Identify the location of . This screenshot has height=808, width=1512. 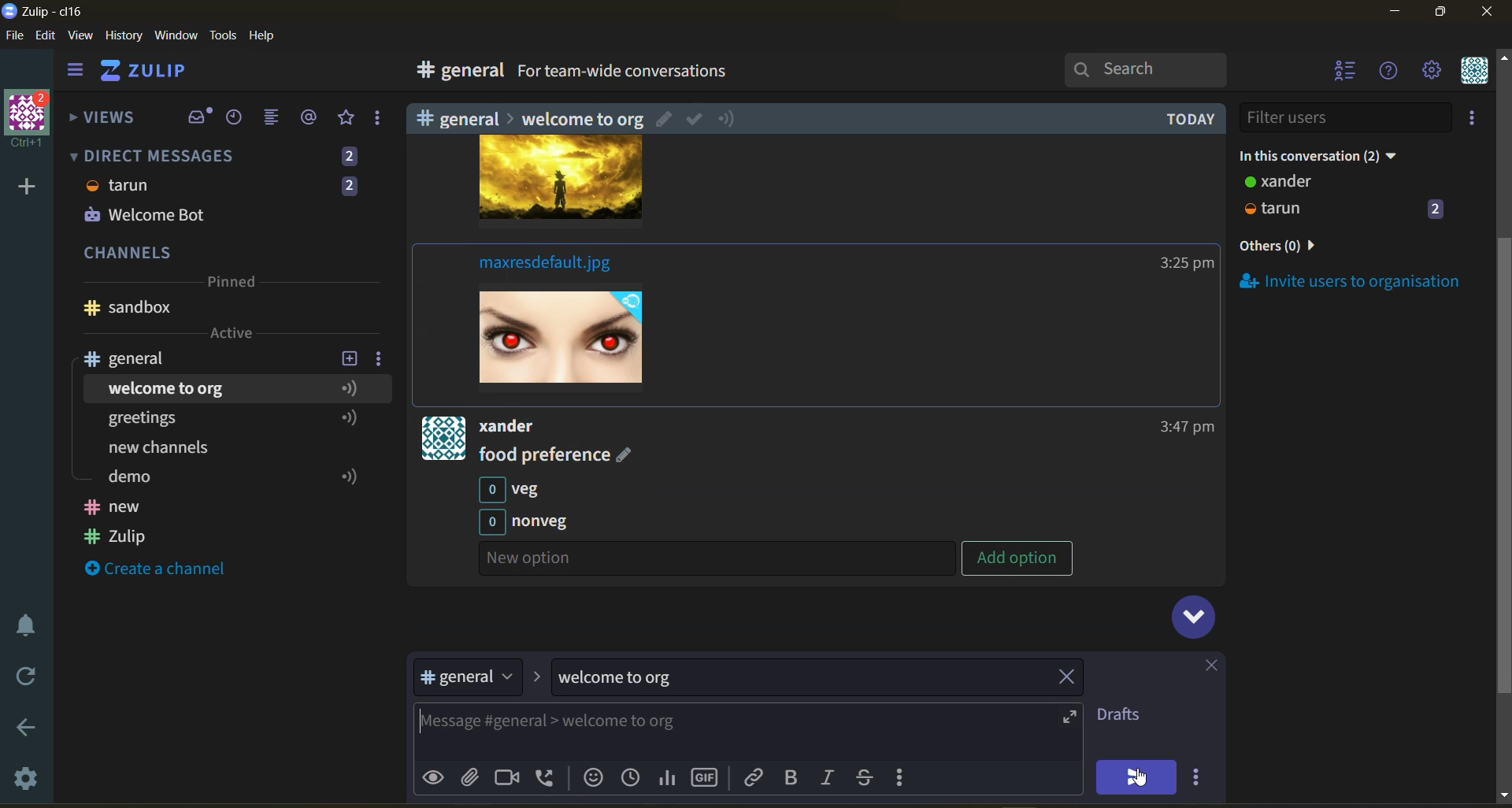
(528, 439).